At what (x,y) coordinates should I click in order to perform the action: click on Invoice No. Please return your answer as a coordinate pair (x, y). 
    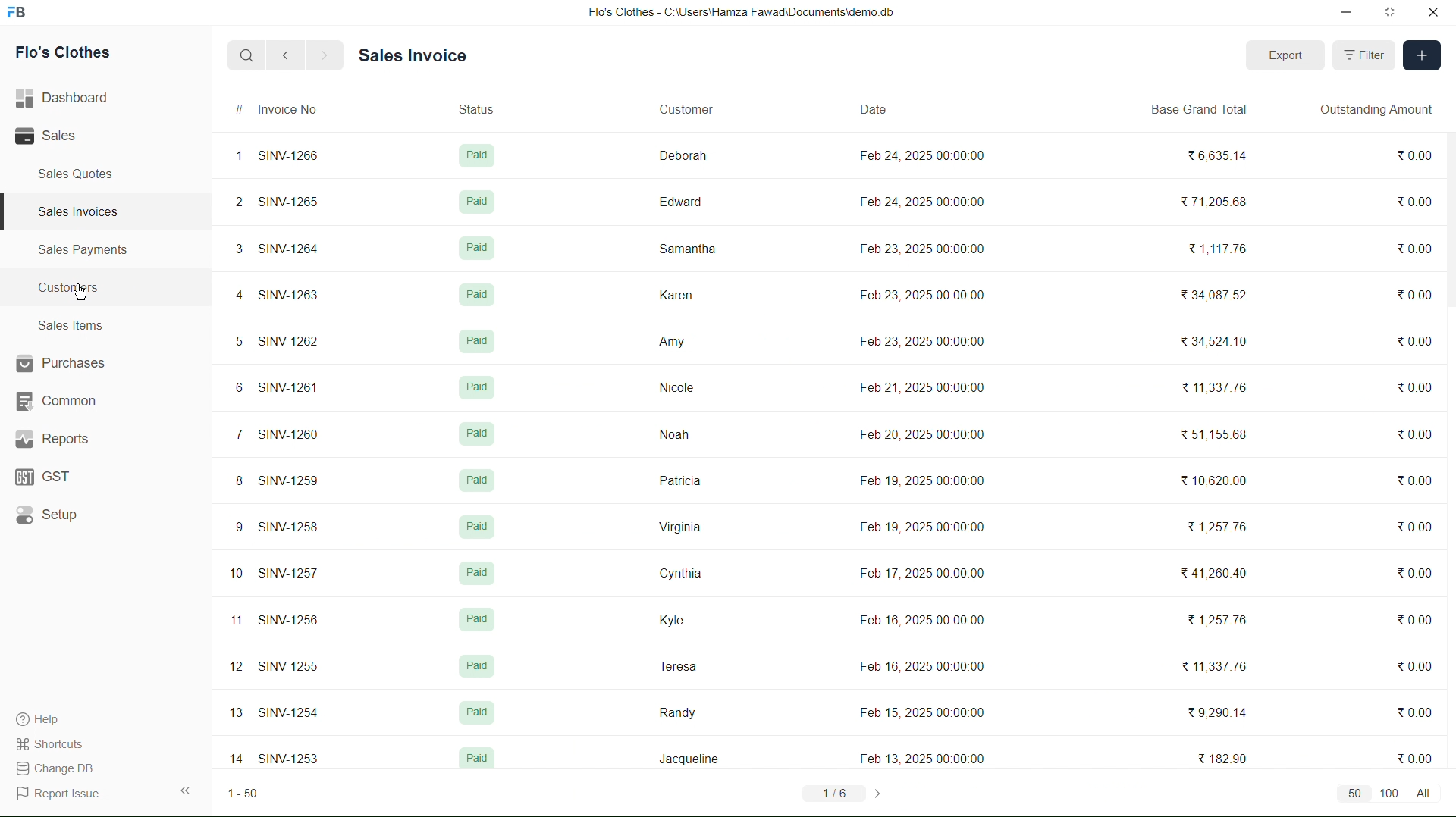
    Looking at the image, I should click on (289, 111).